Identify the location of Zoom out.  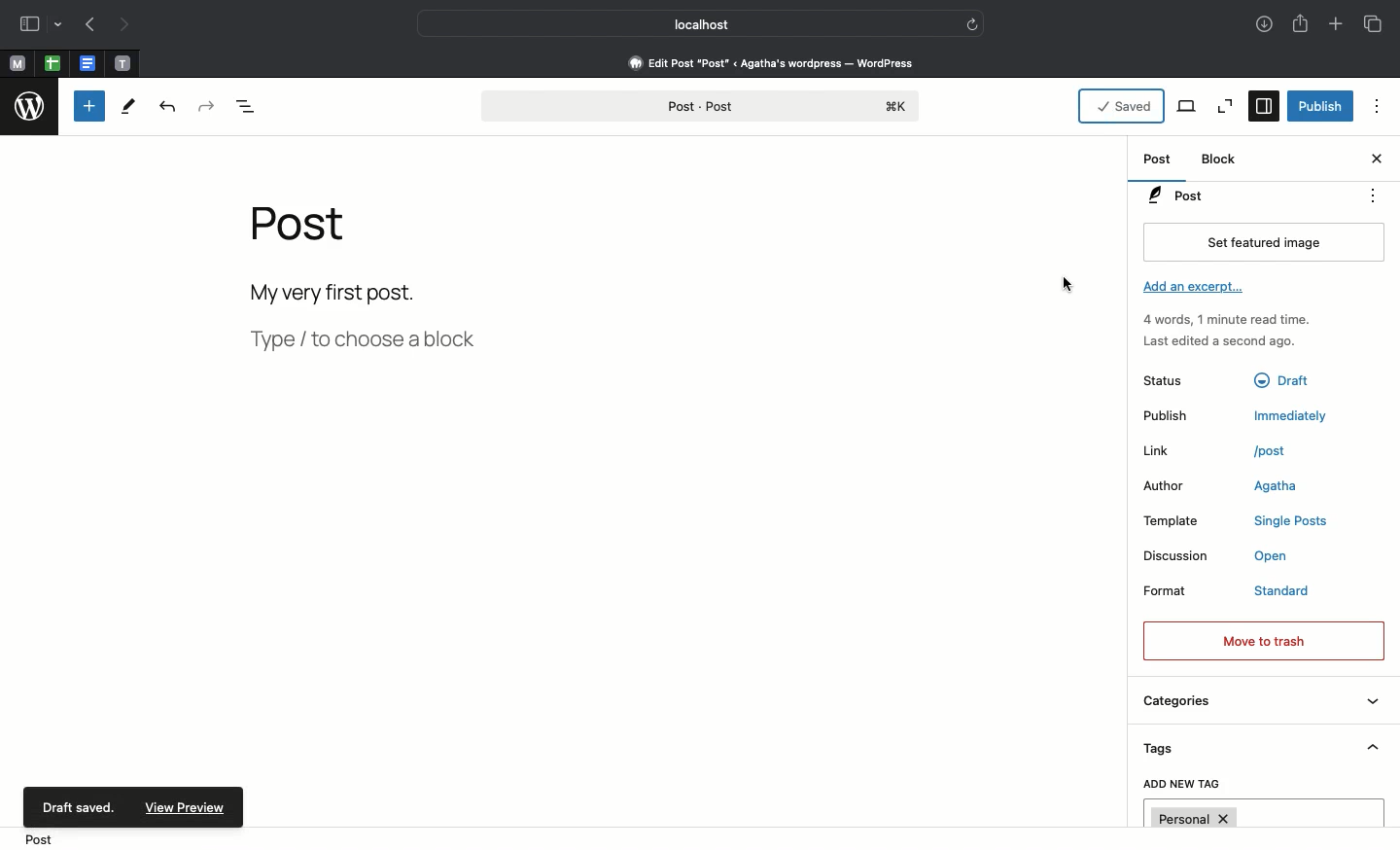
(1225, 105).